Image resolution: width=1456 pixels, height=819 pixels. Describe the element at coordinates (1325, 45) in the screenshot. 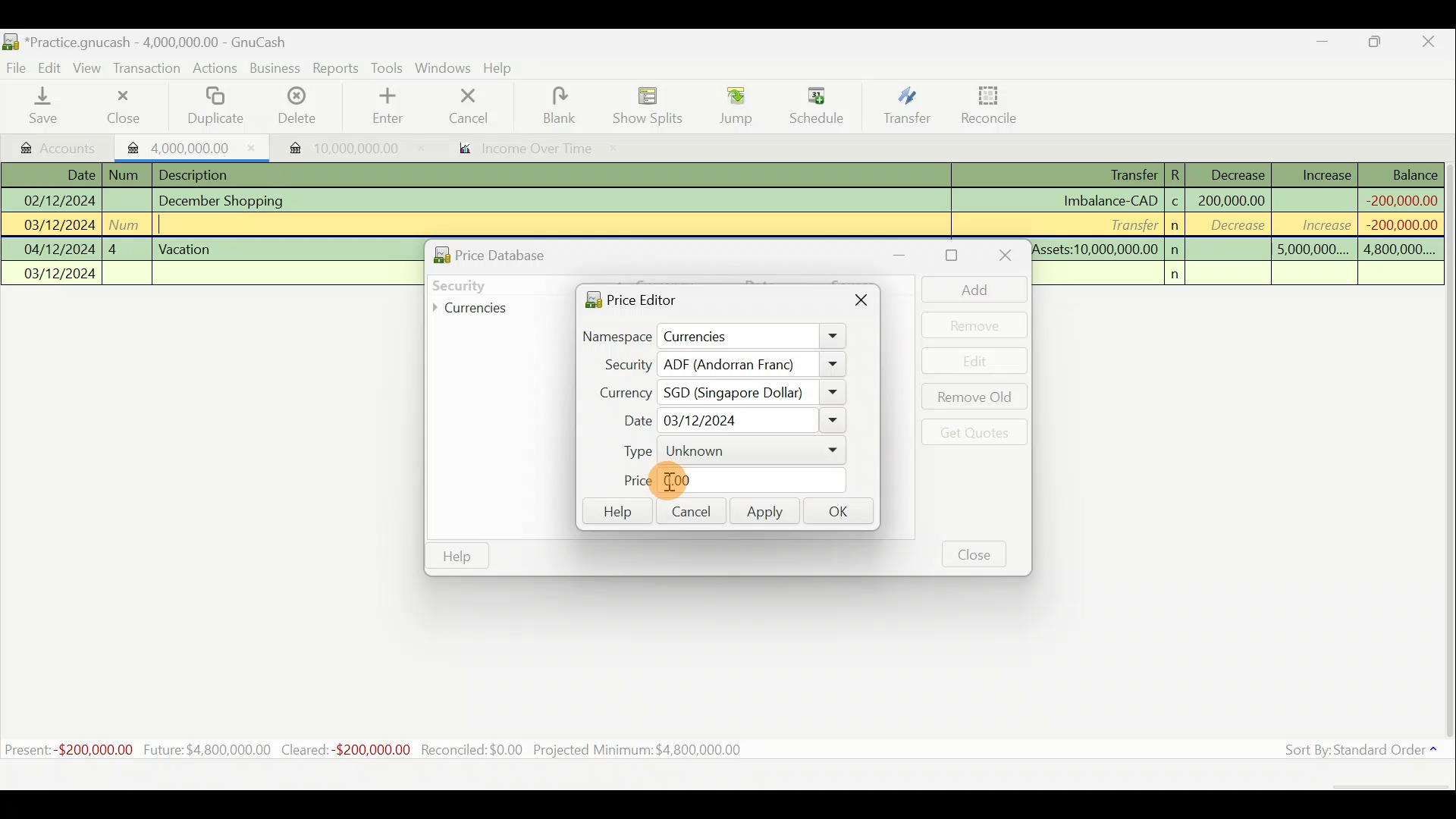

I see `Minimise` at that location.